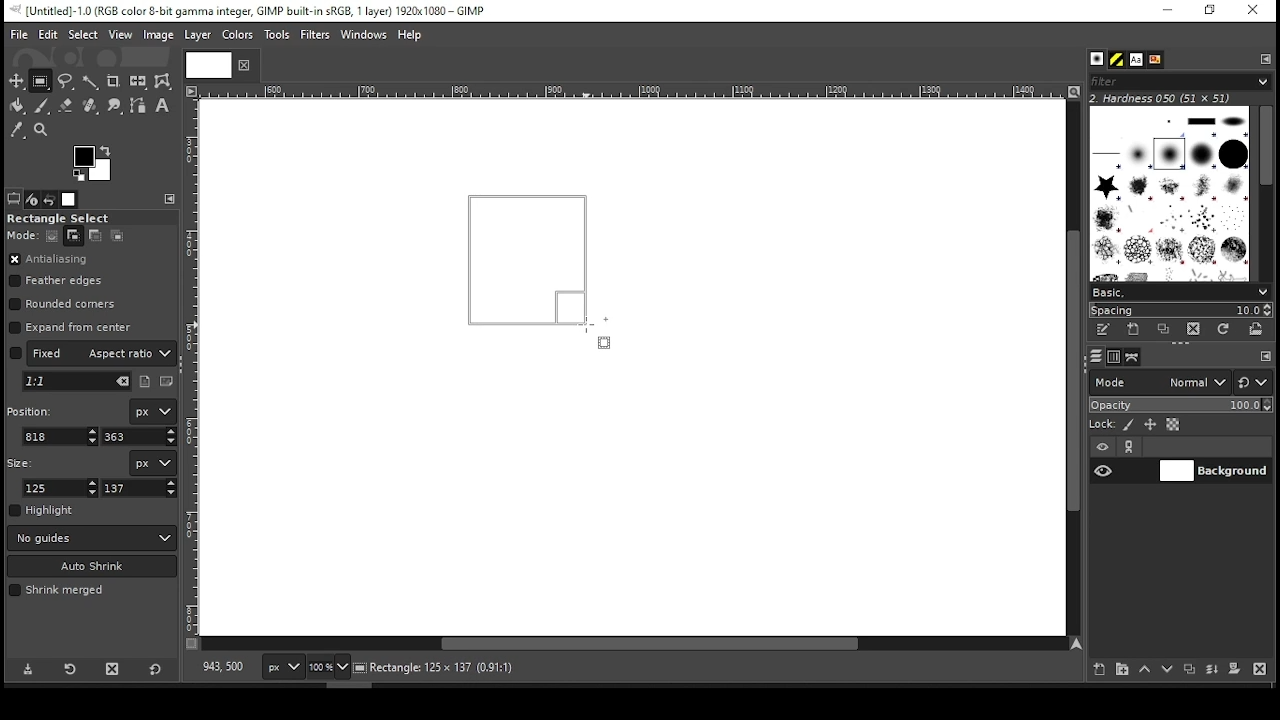 The image size is (1280, 720). What do you see at coordinates (1113, 357) in the screenshot?
I see `channels` at bounding box center [1113, 357].